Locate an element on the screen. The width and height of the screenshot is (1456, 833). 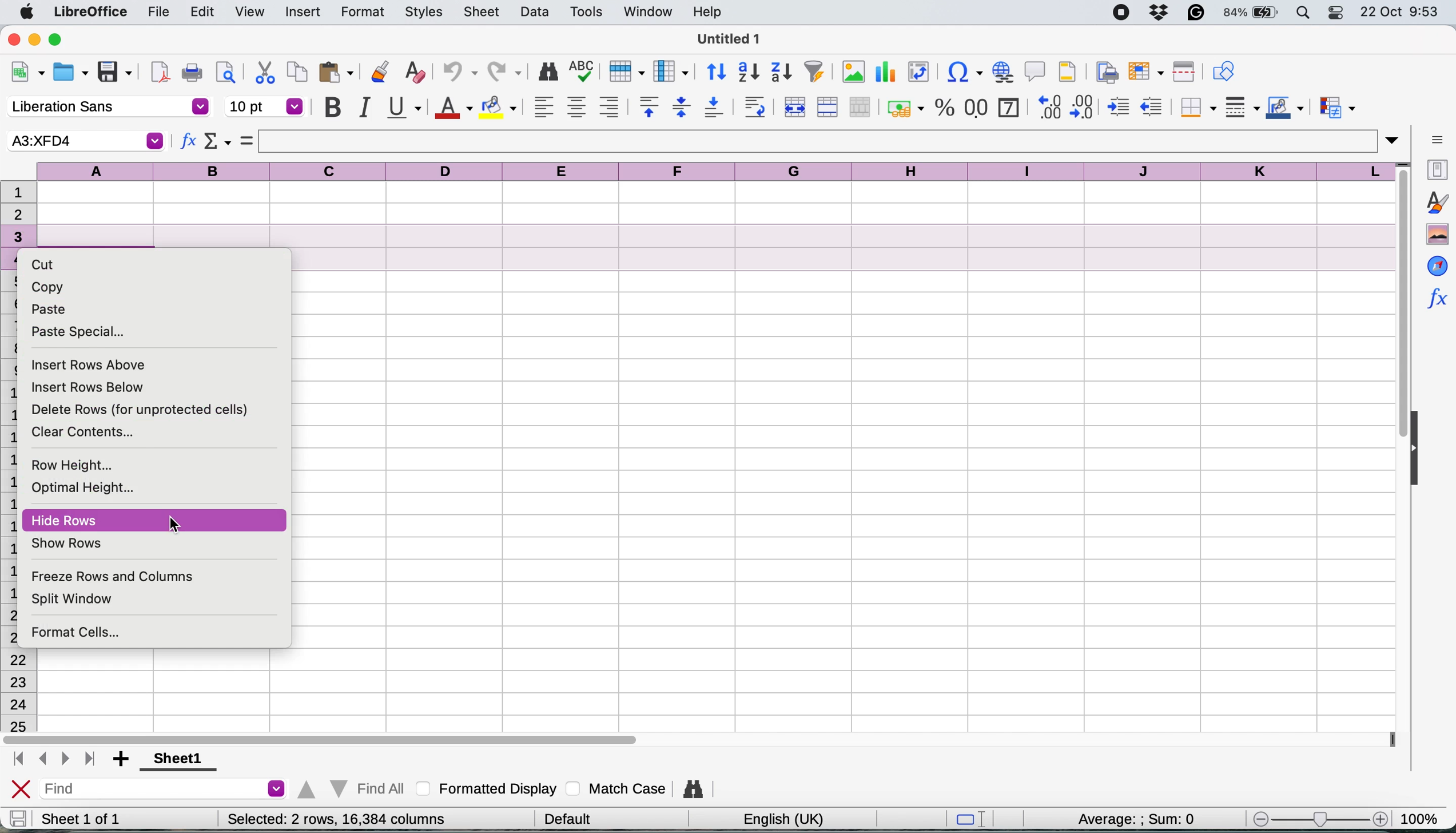
align bottom is located at coordinates (715, 107).